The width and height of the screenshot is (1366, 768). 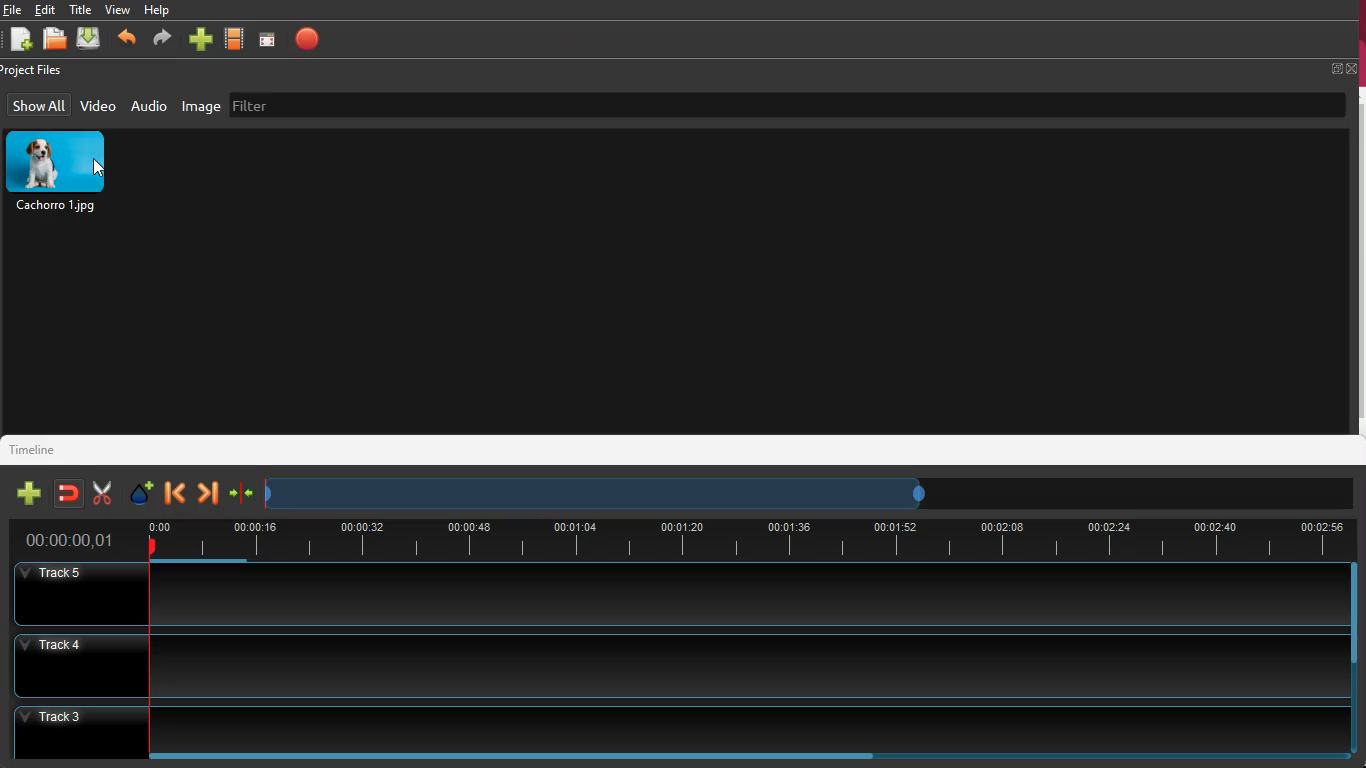 I want to click on track5, so click(x=671, y=597).